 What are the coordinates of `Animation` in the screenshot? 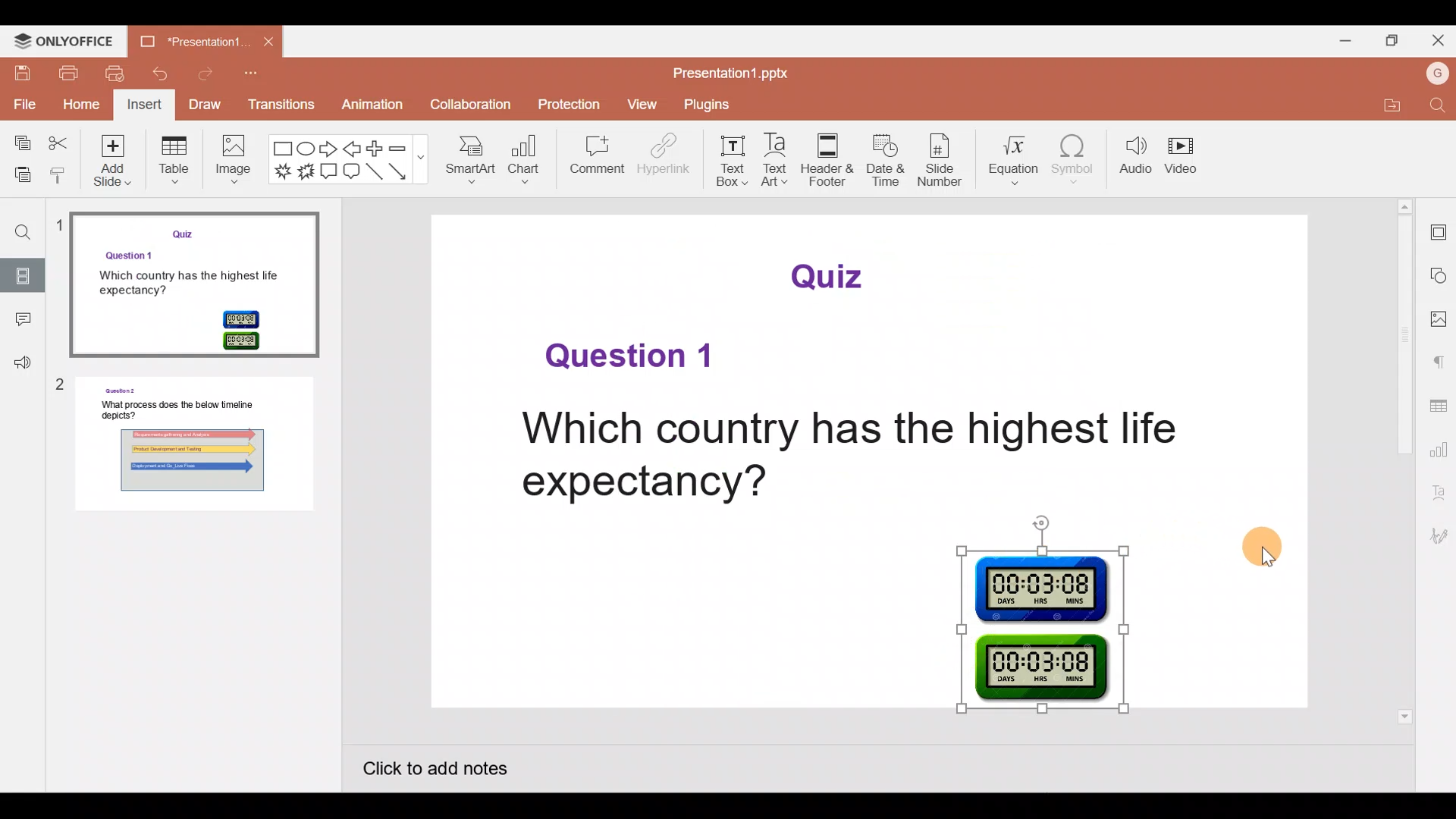 It's located at (365, 103).